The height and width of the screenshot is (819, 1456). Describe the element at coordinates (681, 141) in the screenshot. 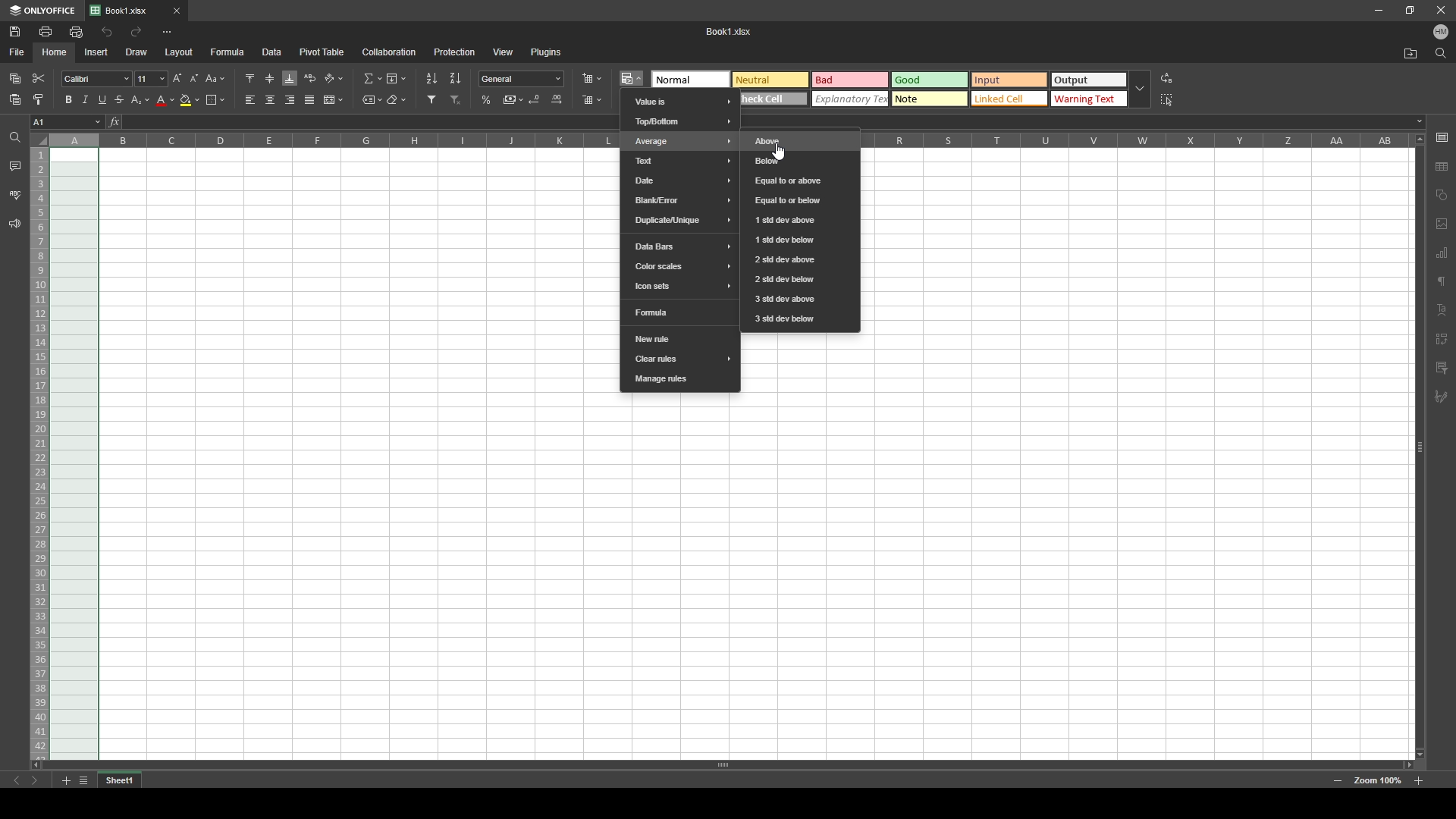

I see `average` at that location.